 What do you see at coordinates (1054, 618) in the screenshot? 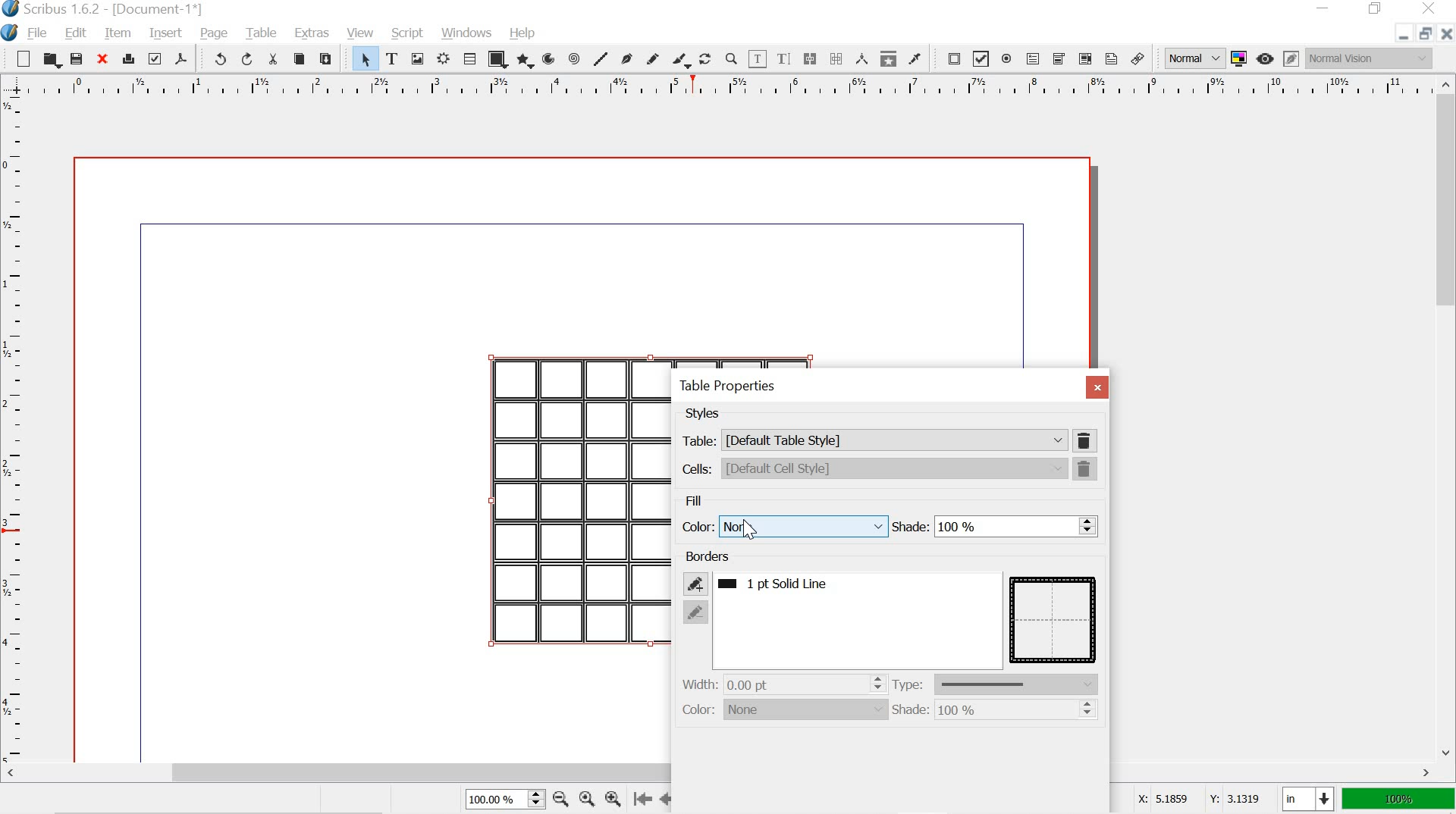
I see `table` at bounding box center [1054, 618].